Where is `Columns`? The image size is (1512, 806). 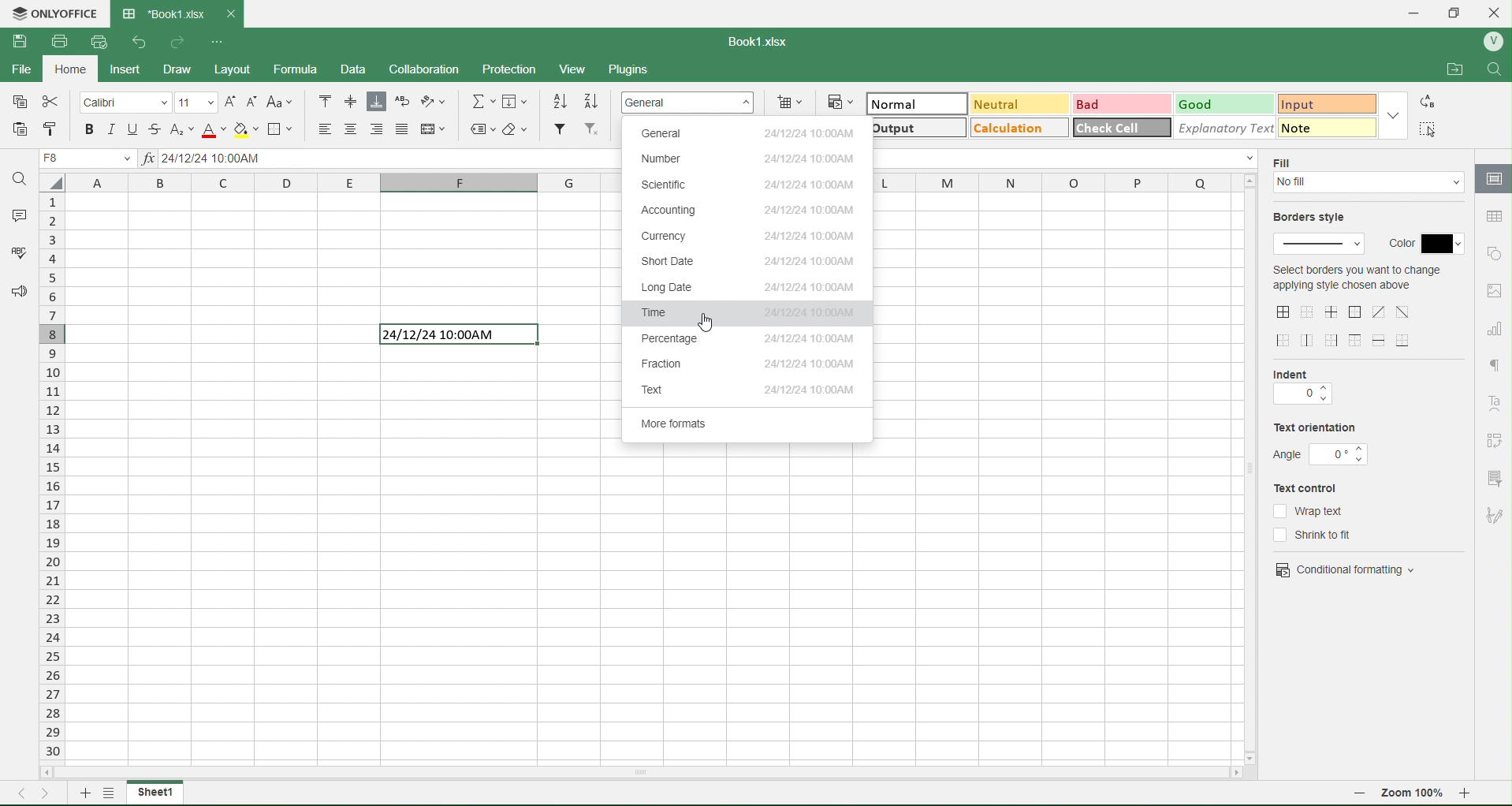 Columns is located at coordinates (347, 185).